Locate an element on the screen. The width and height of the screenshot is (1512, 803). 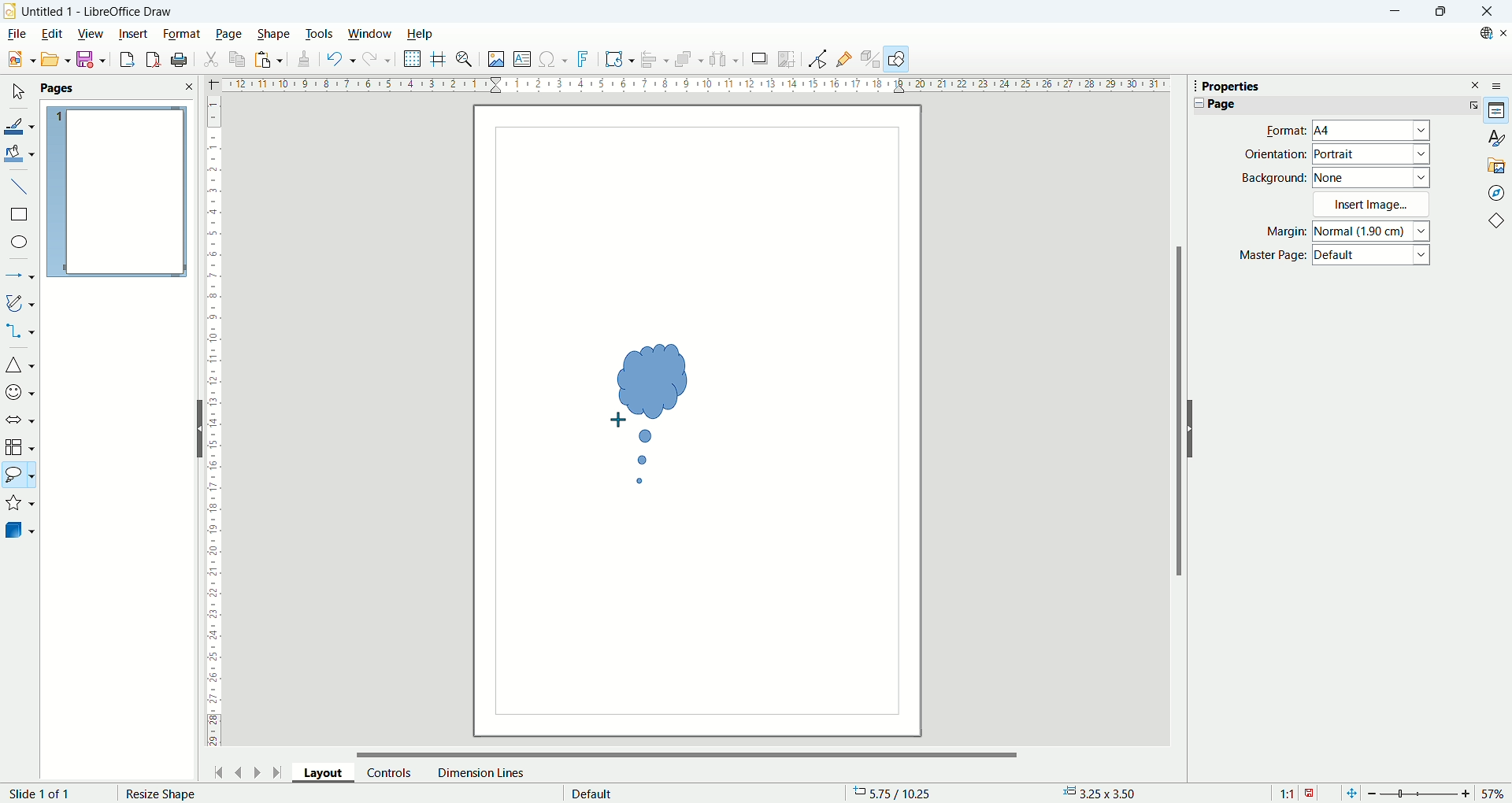
file is located at coordinates (16, 34).